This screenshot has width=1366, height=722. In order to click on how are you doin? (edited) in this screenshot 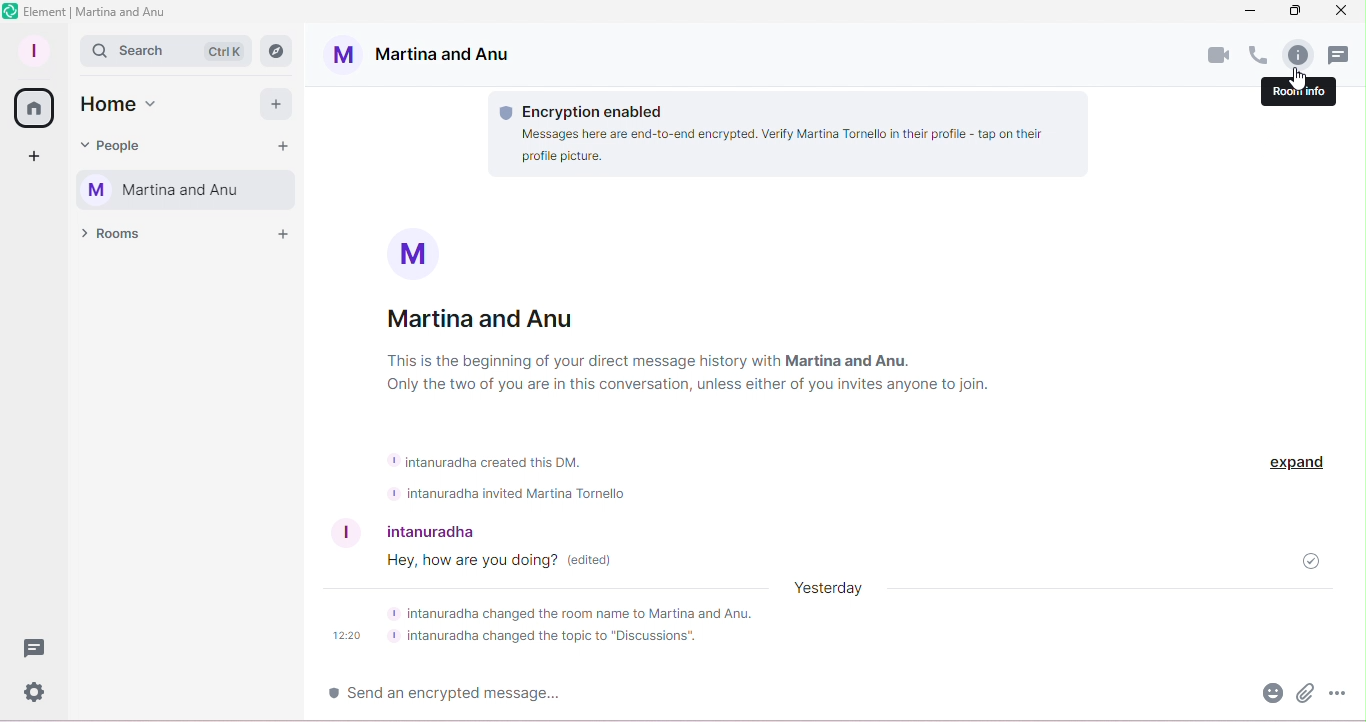, I will do `click(783, 561)`.